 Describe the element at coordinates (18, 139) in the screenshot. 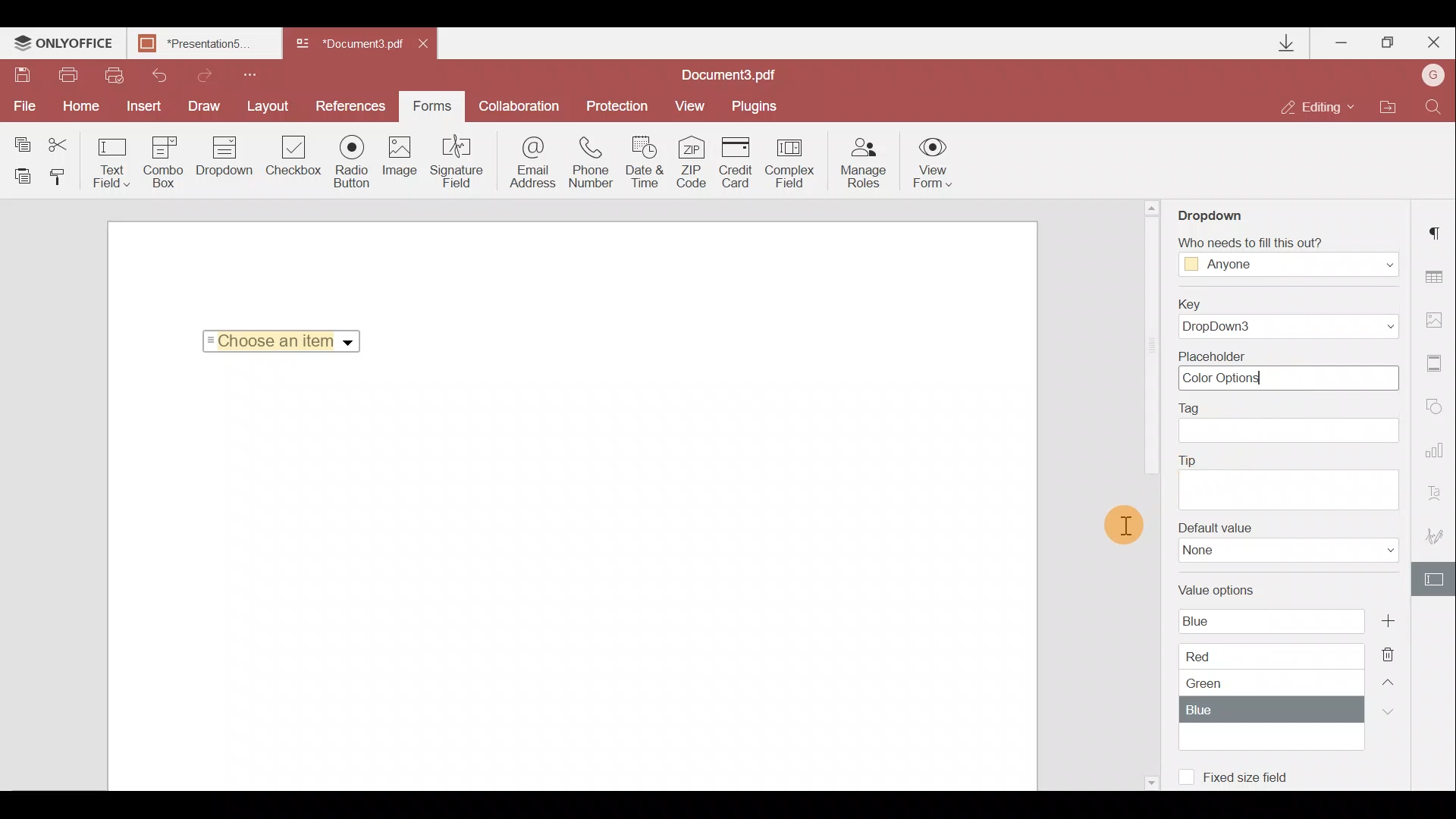

I see `Copy` at that location.